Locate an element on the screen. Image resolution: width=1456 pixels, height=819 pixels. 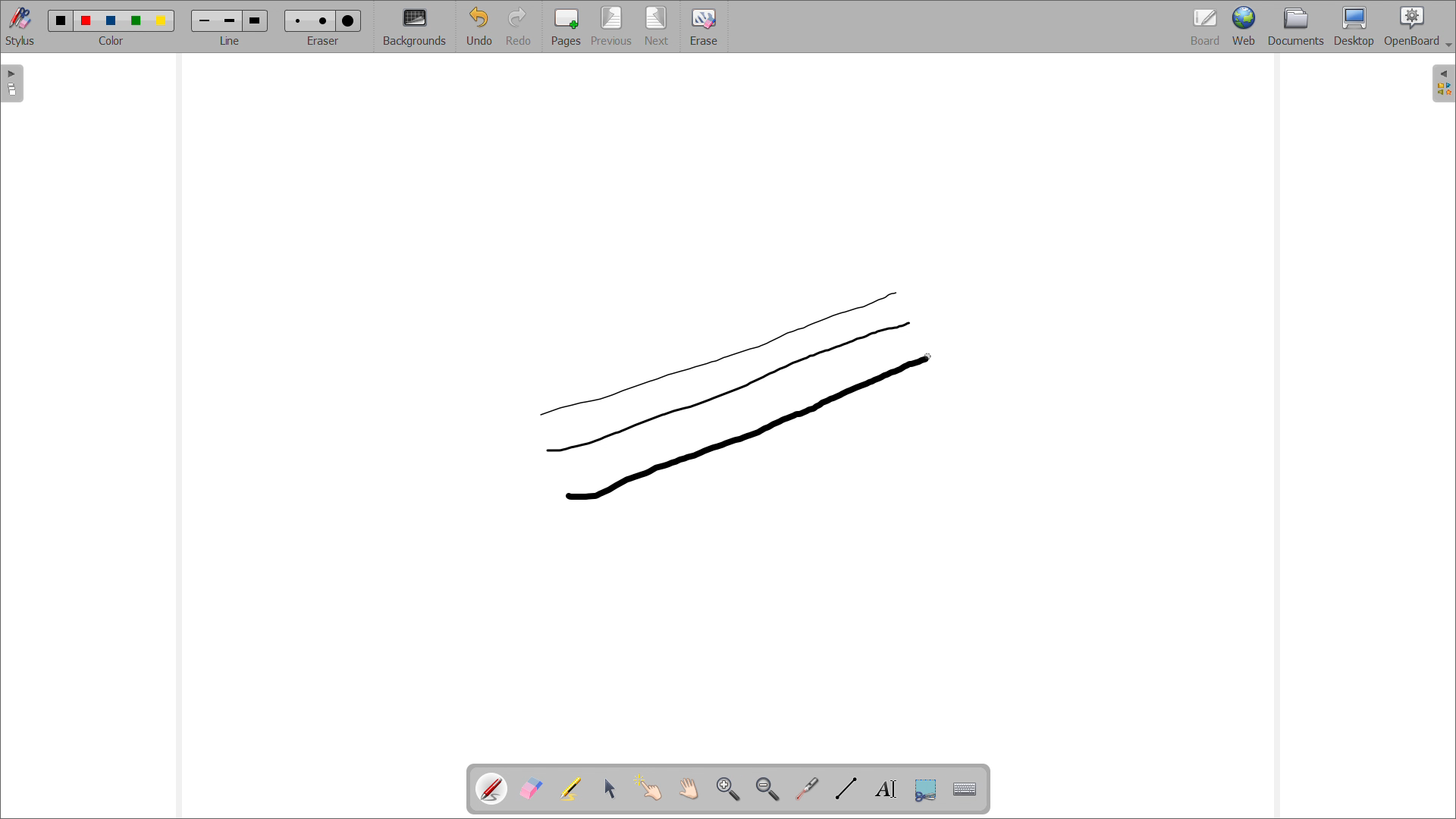
color is located at coordinates (161, 21).